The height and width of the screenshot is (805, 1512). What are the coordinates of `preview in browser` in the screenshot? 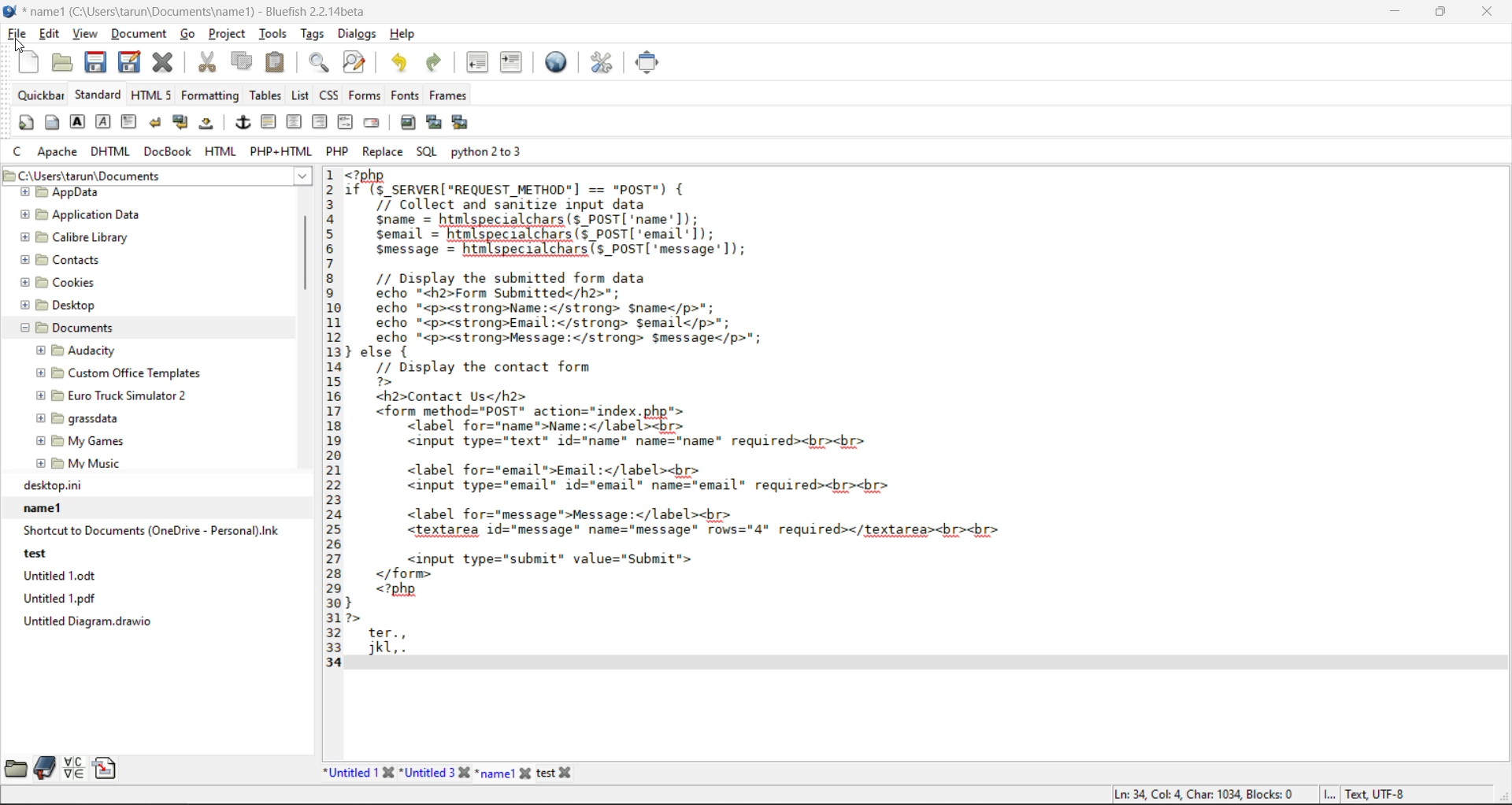 It's located at (560, 61).